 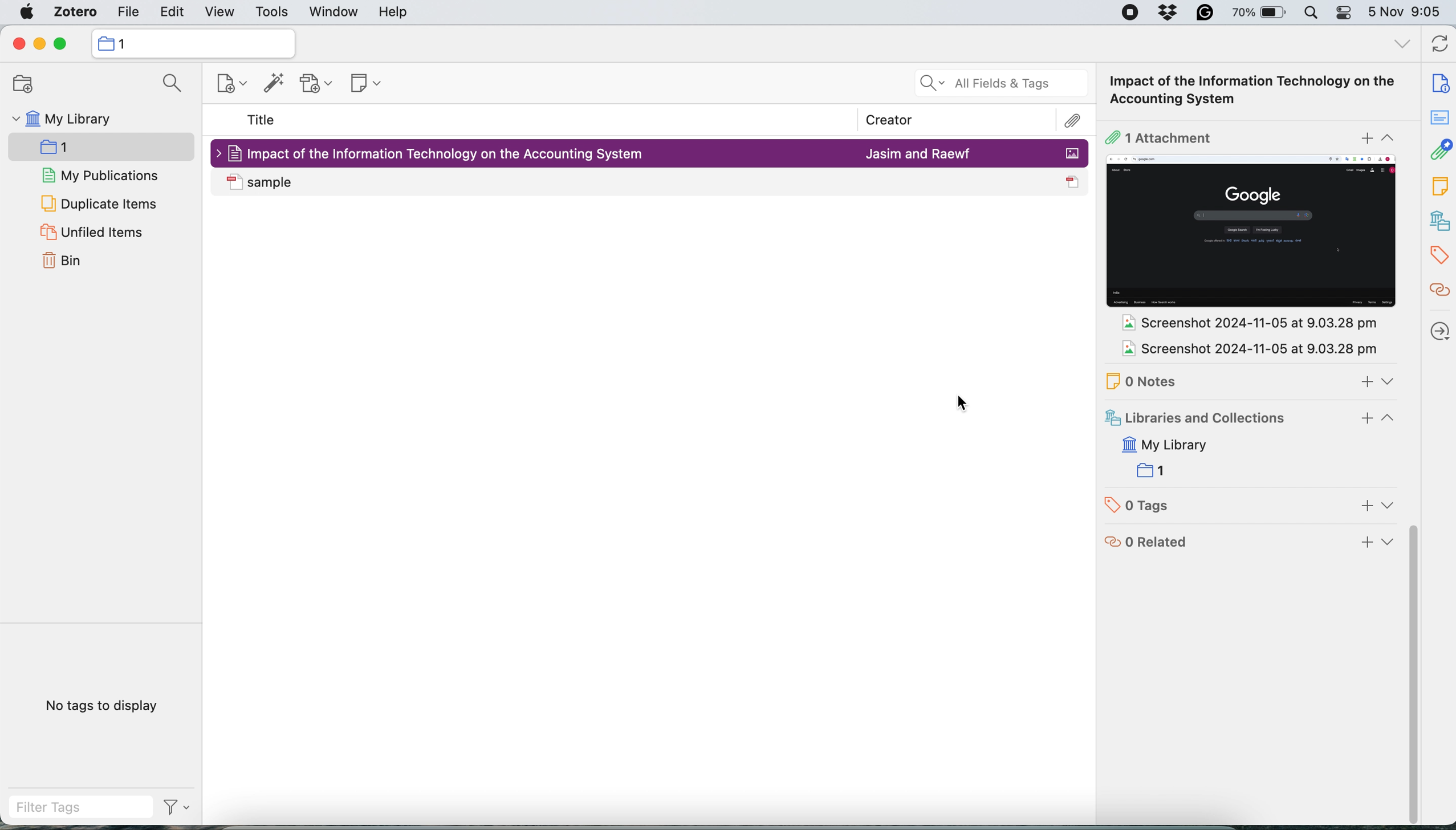 What do you see at coordinates (1242, 324) in the screenshot?
I see `screenshot 2024-11-05 at 9.03.28 pm` at bounding box center [1242, 324].